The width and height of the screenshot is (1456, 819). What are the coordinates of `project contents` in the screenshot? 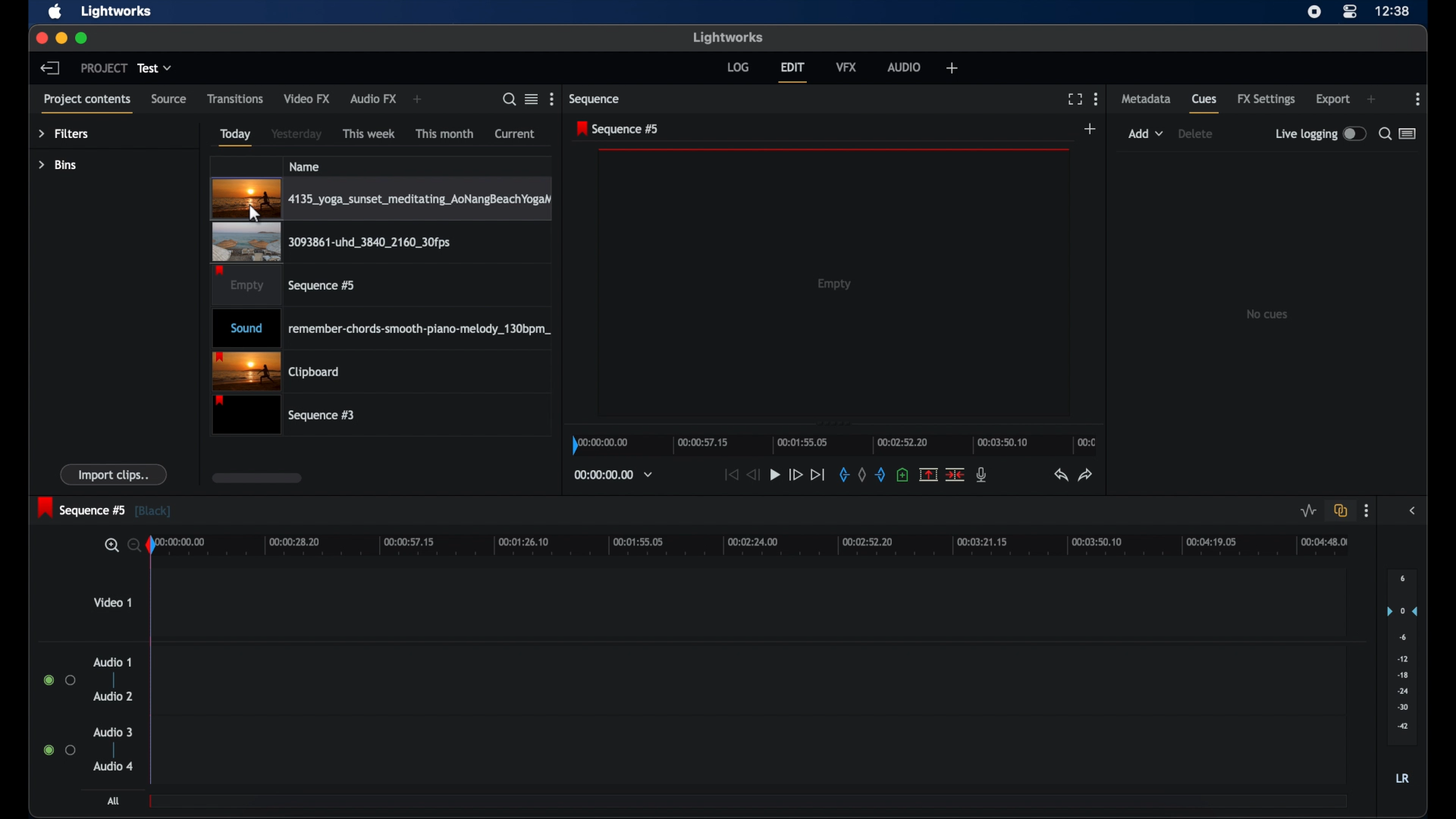 It's located at (86, 103).